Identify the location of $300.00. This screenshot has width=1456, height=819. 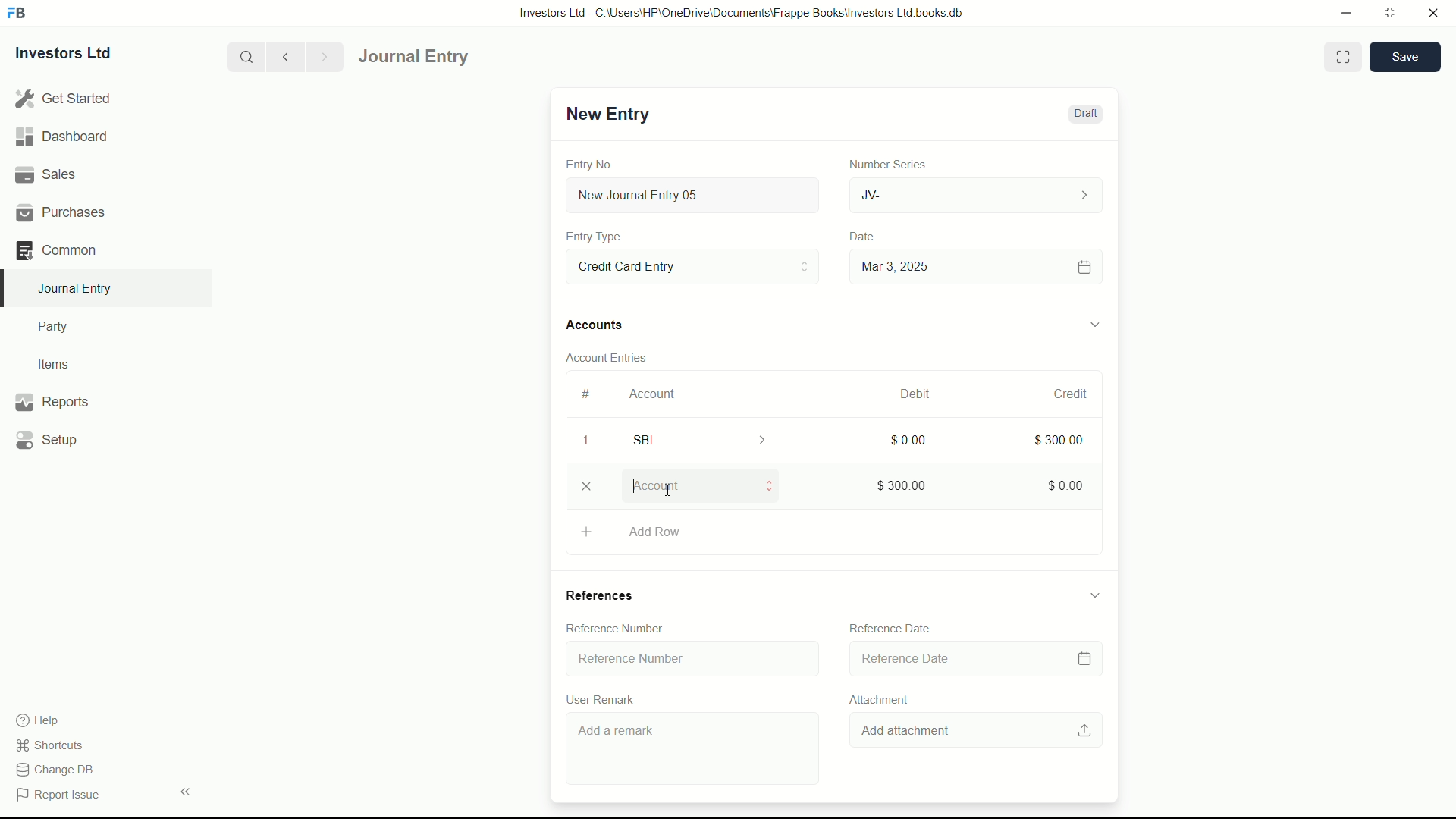
(899, 485).